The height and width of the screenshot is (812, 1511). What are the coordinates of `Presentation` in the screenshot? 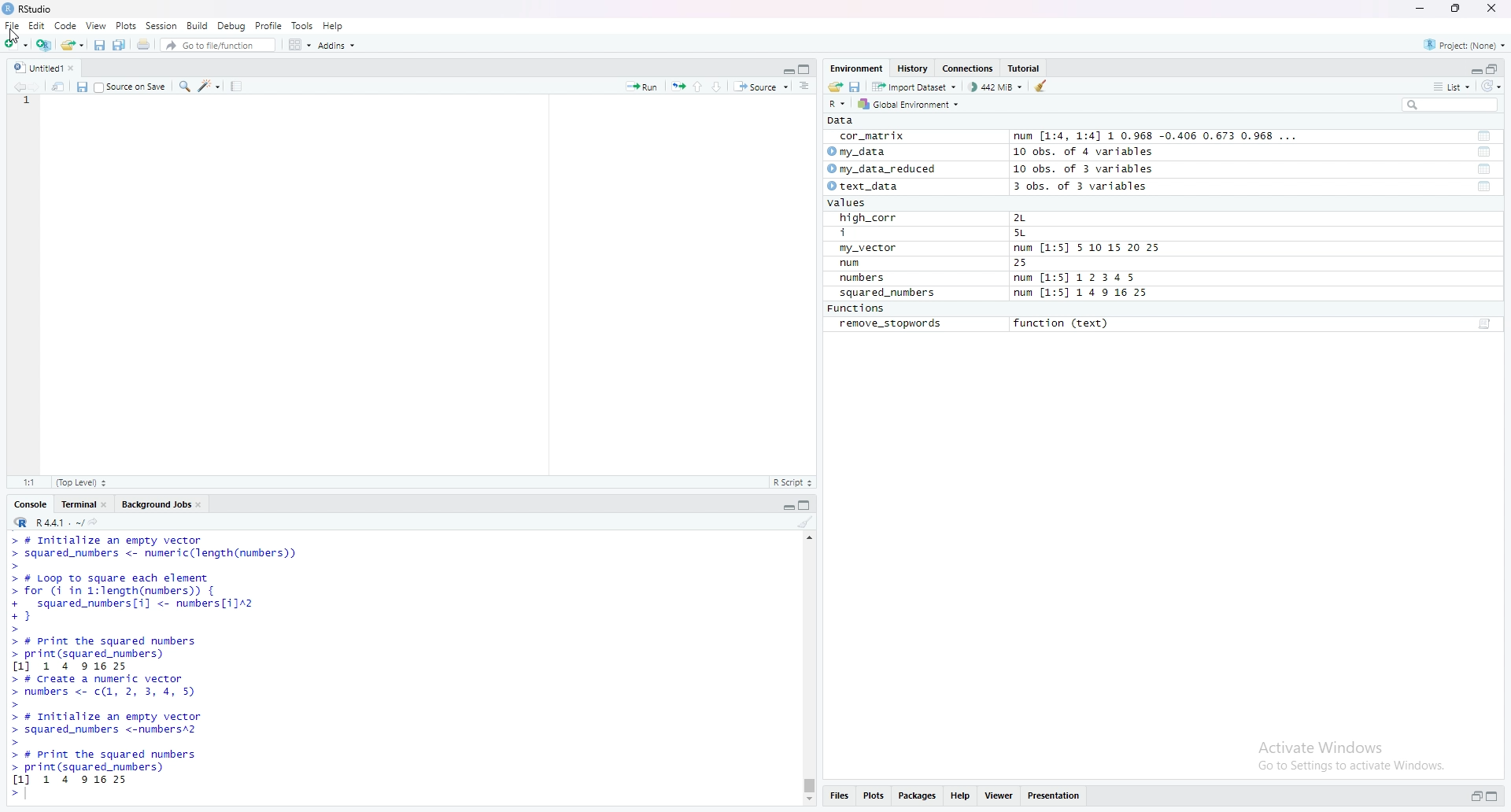 It's located at (1053, 796).